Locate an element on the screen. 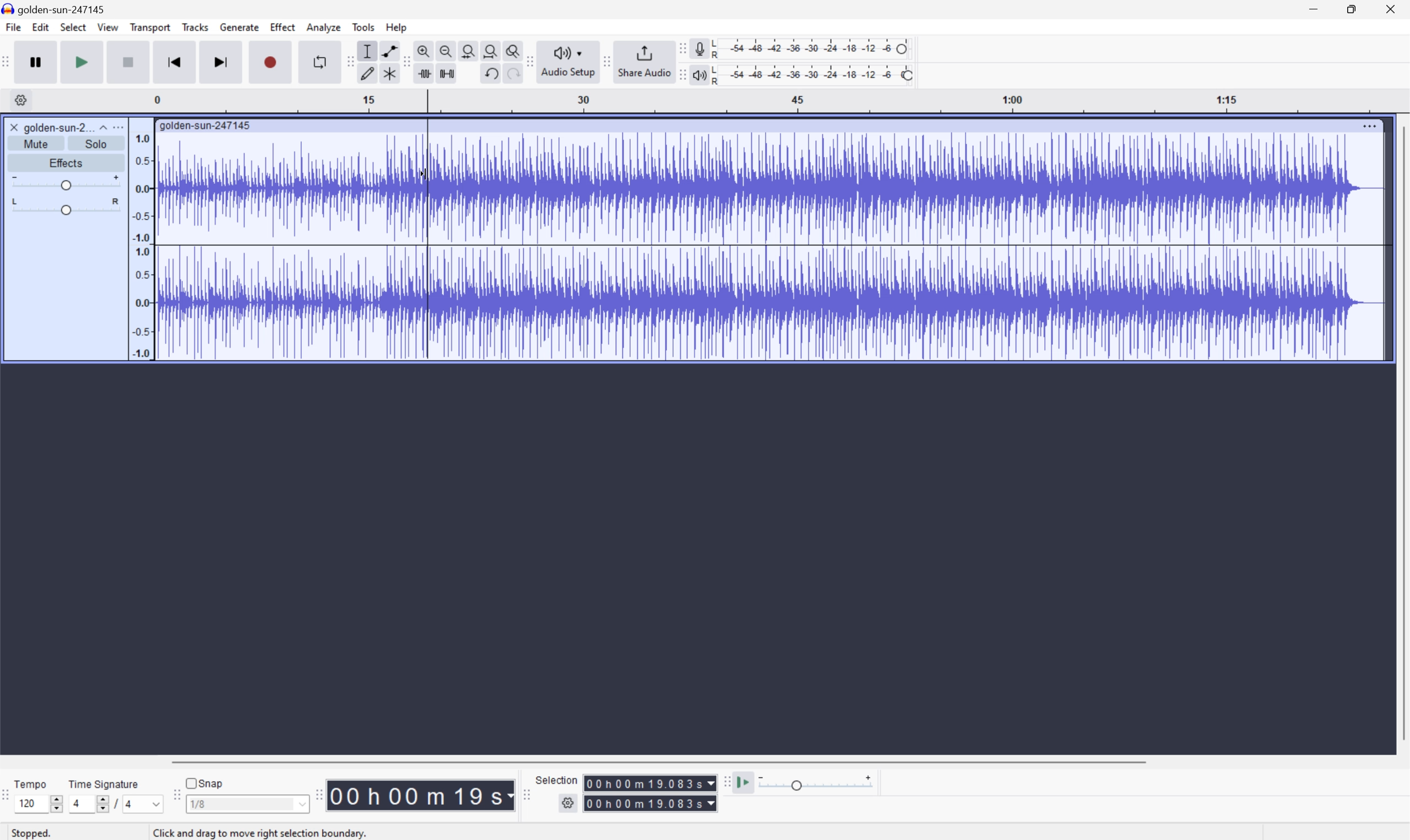 Image resolution: width=1410 pixels, height=840 pixels. Effect is located at coordinates (283, 27).